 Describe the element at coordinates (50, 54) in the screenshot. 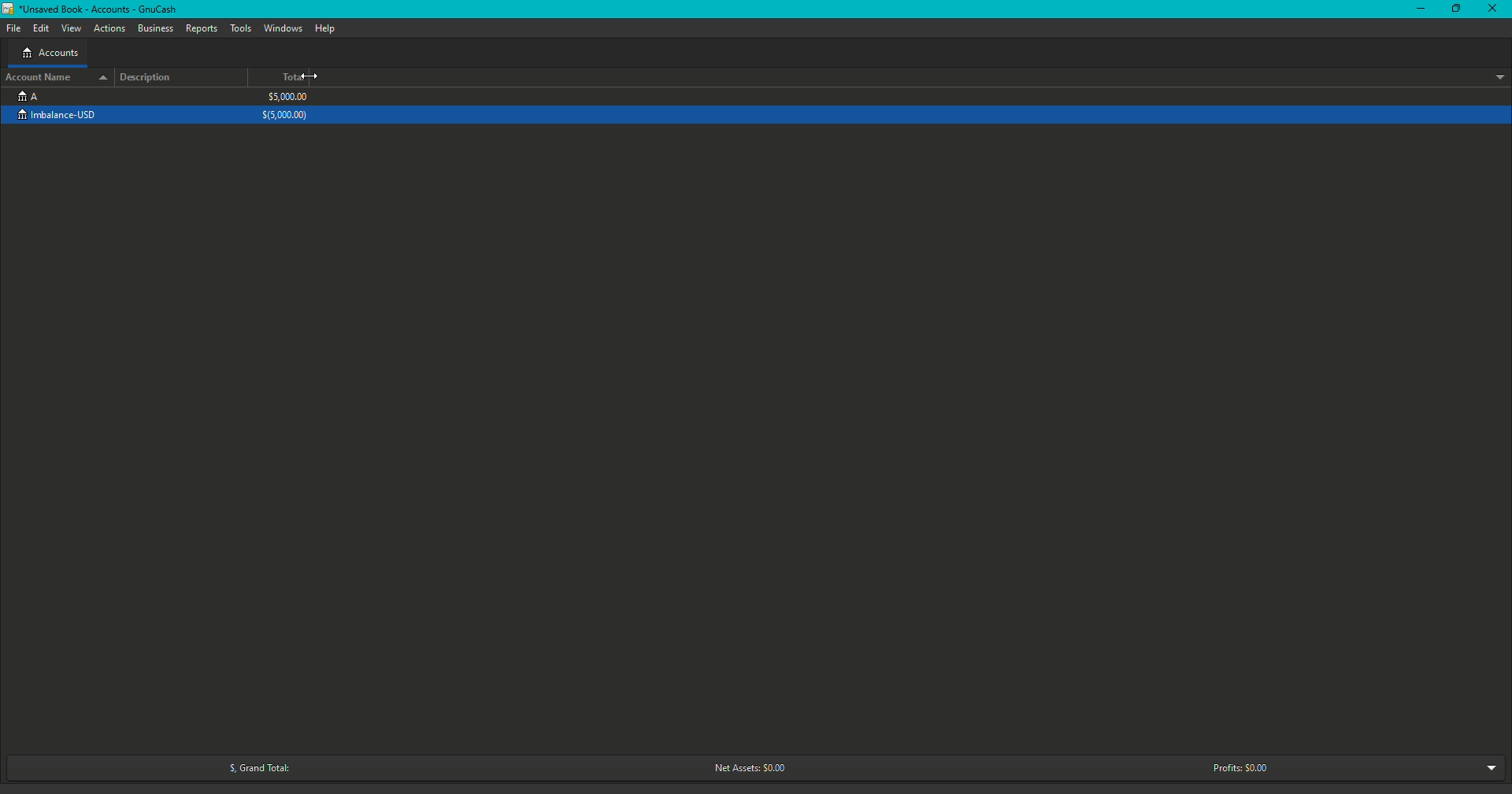

I see `Accounts` at that location.